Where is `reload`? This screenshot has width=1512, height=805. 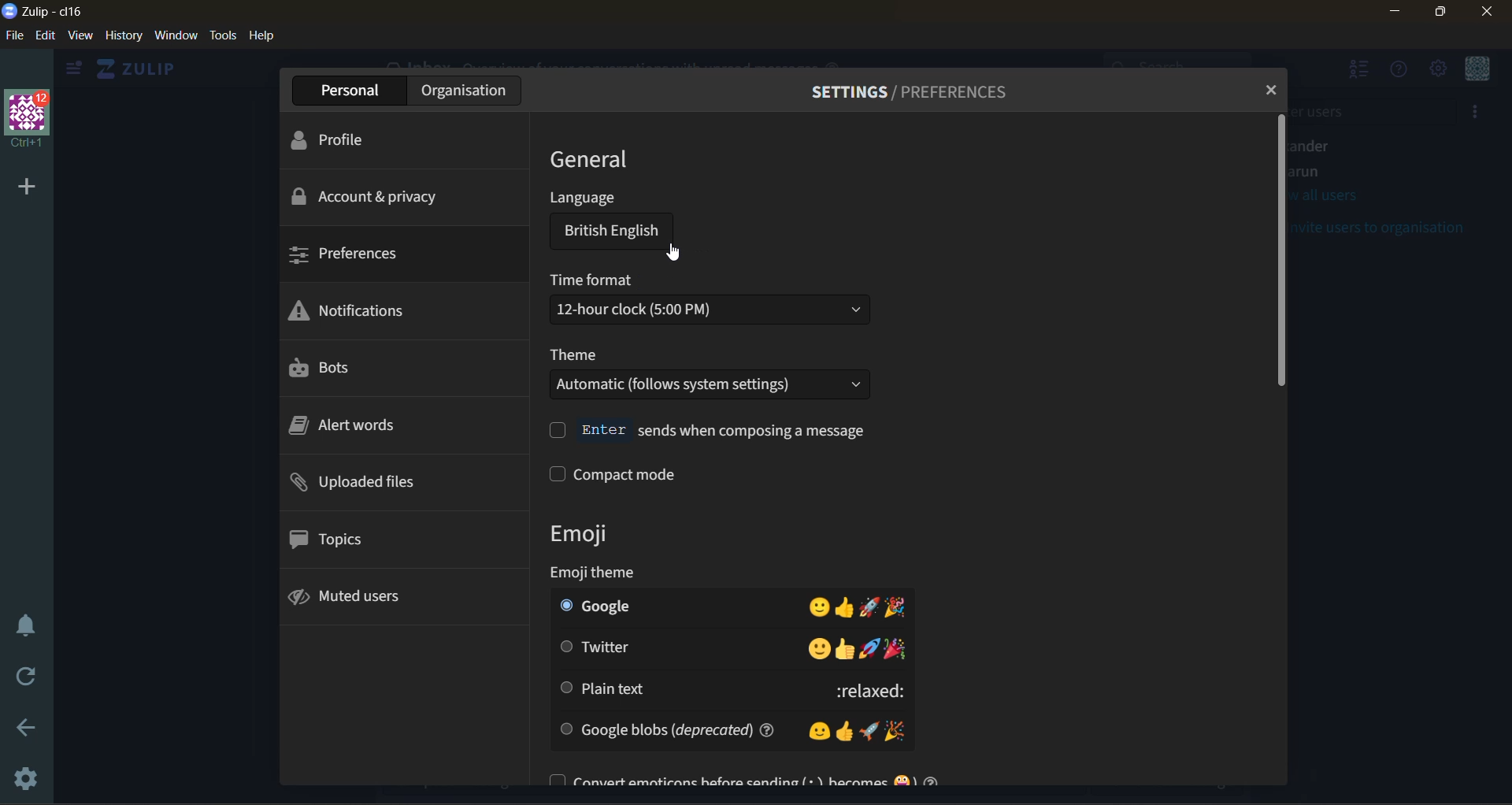
reload is located at coordinates (20, 678).